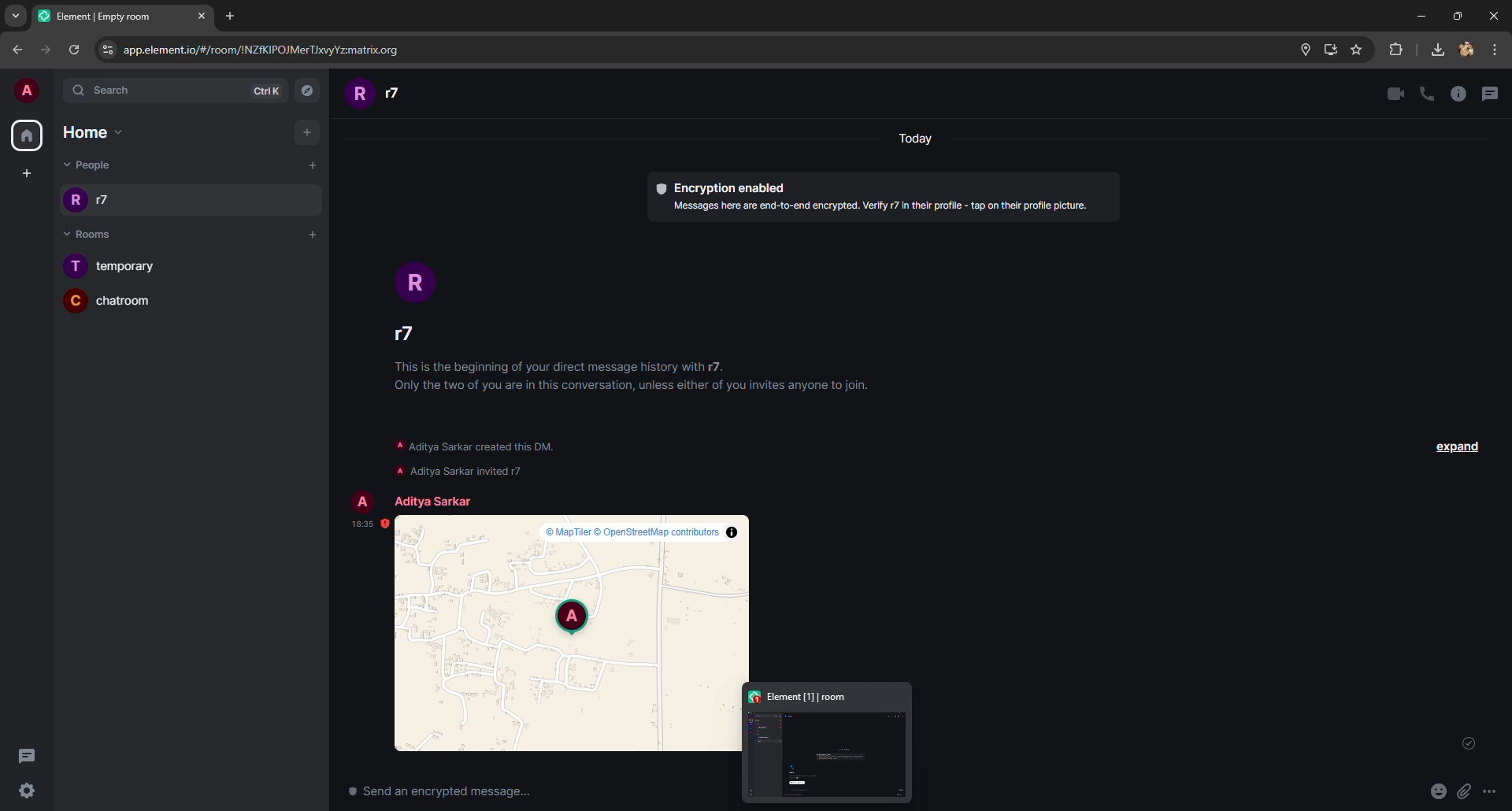 This screenshot has width=1512, height=811. Describe the element at coordinates (124, 17) in the screenshot. I see `current tab` at that location.